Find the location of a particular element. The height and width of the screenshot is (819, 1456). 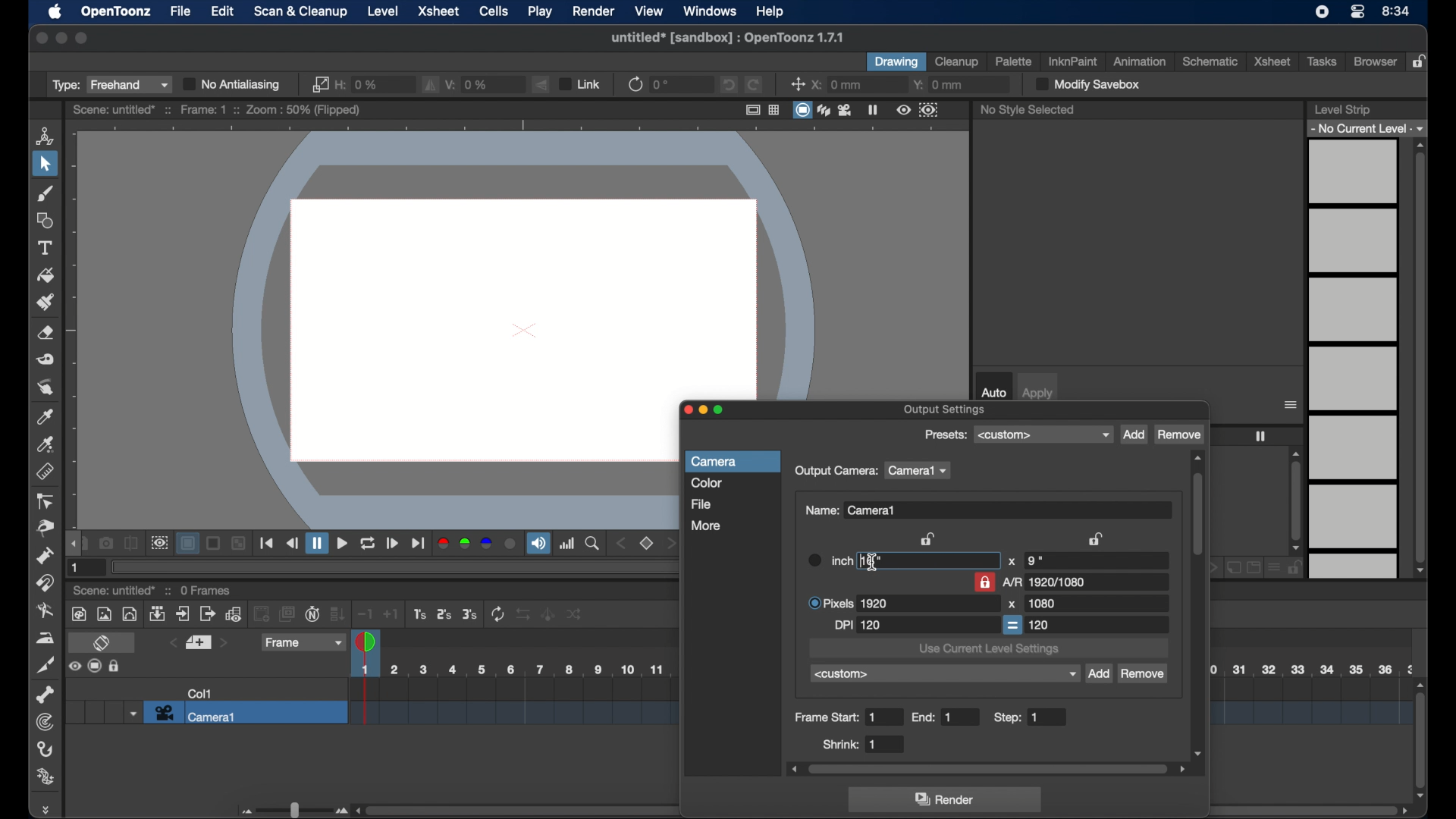

view modes is located at coordinates (824, 110).